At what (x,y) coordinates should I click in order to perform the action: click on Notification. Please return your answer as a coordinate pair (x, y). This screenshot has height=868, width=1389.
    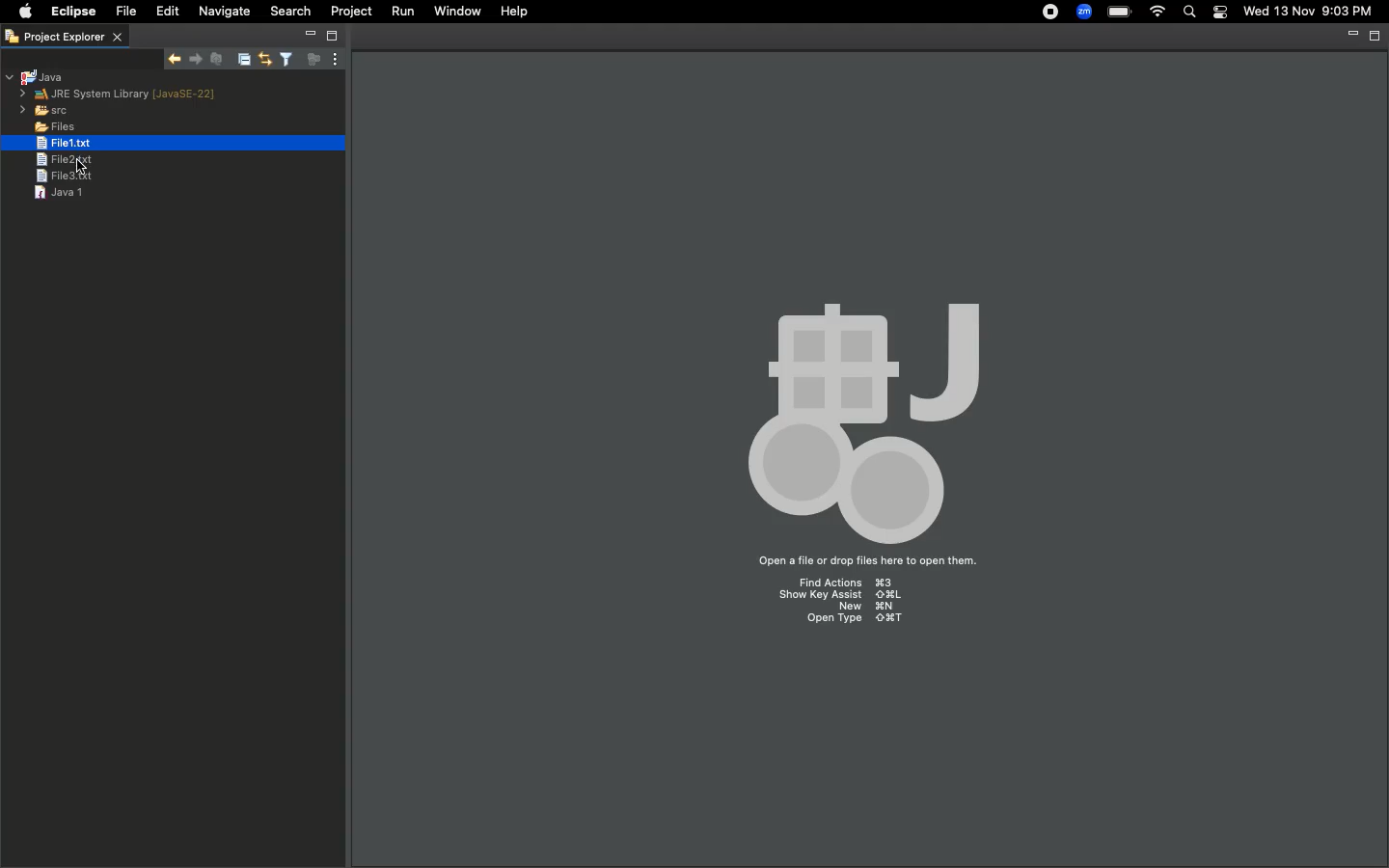
    Looking at the image, I should click on (1222, 12).